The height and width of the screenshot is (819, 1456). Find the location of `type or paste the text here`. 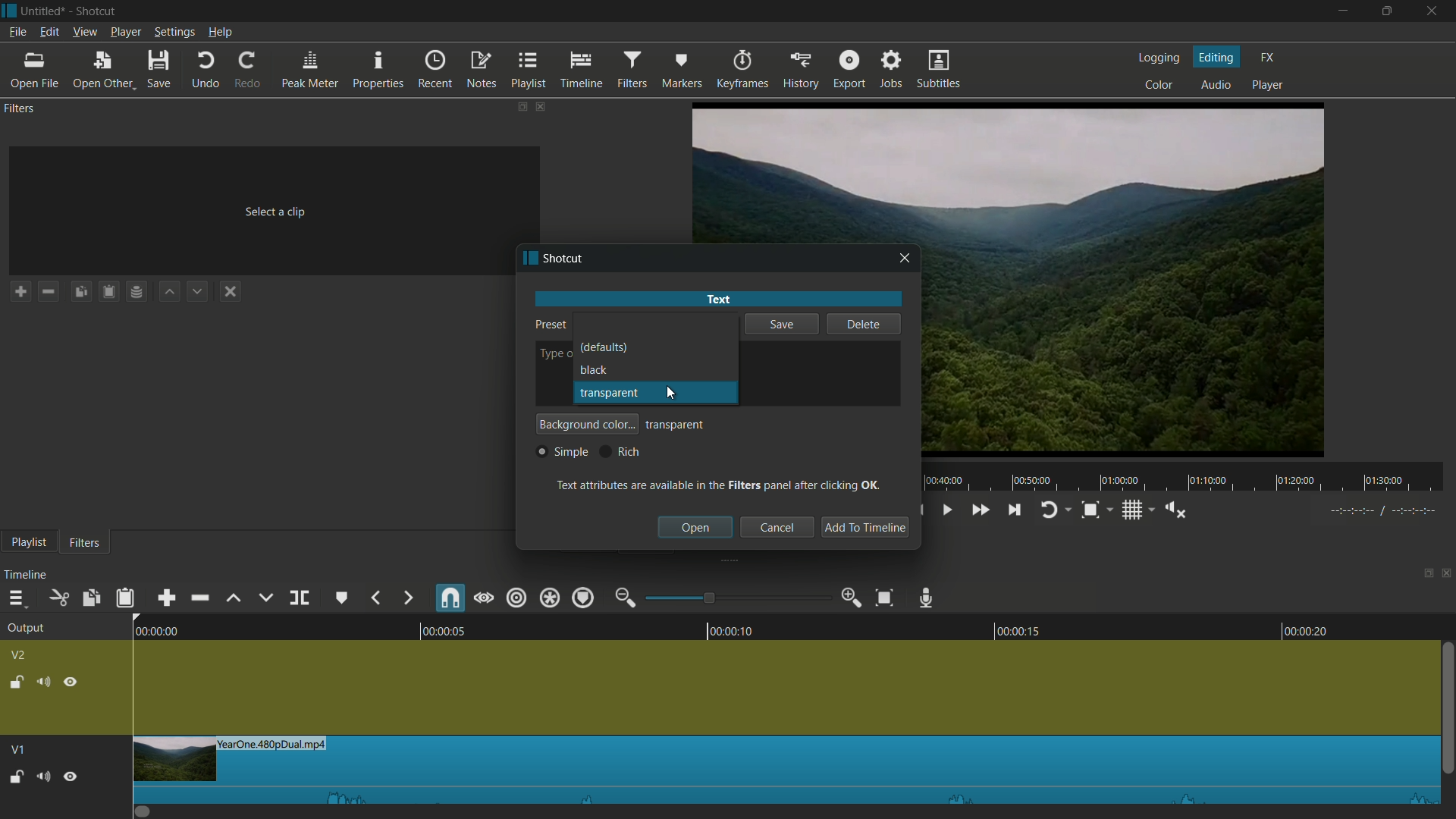

type or paste the text here is located at coordinates (552, 355).